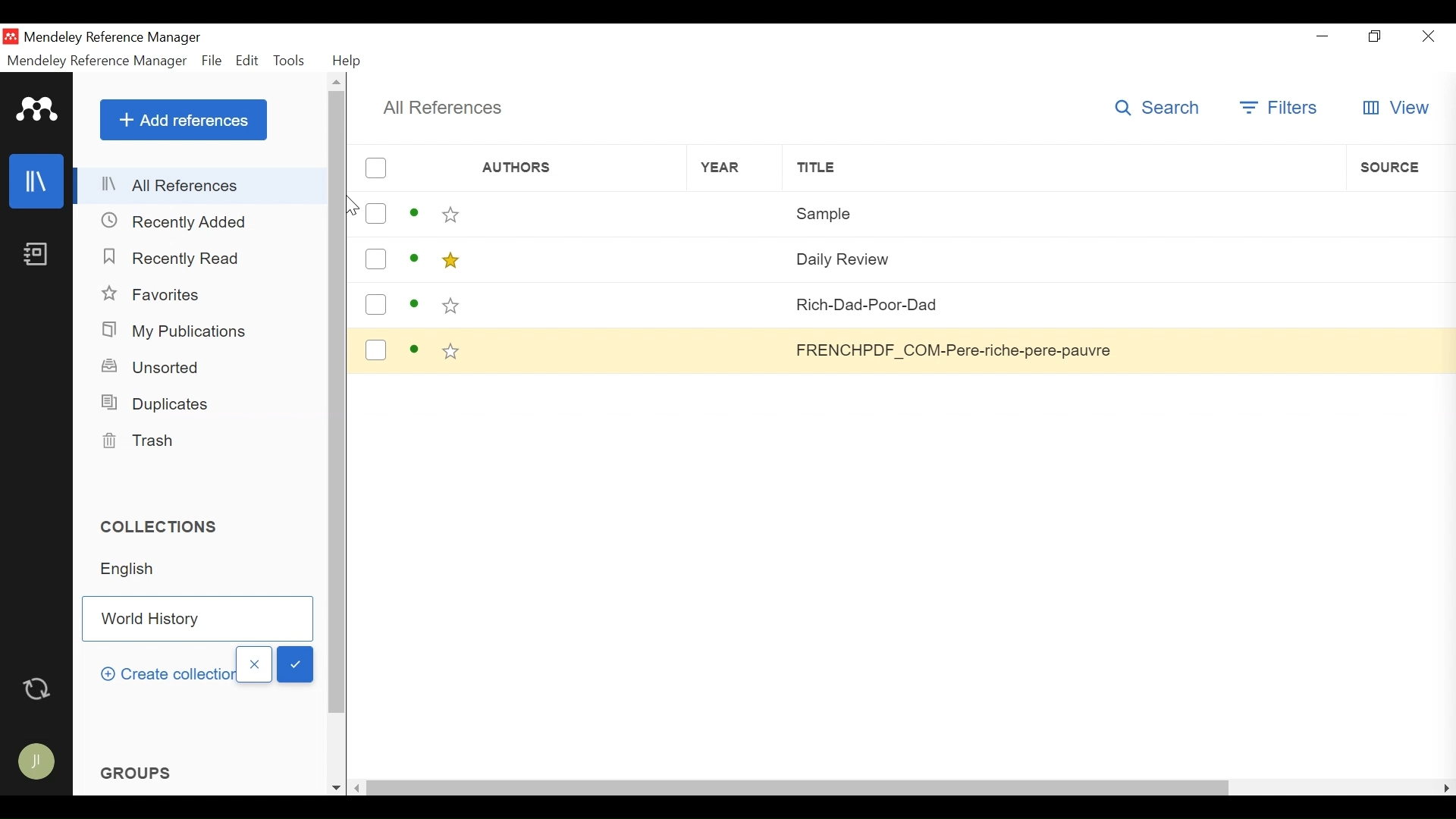 This screenshot has width=1456, height=819. What do you see at coordinates (1396, 257) in the screenshot?
I see `Source` at bounding box center [1396, 257].